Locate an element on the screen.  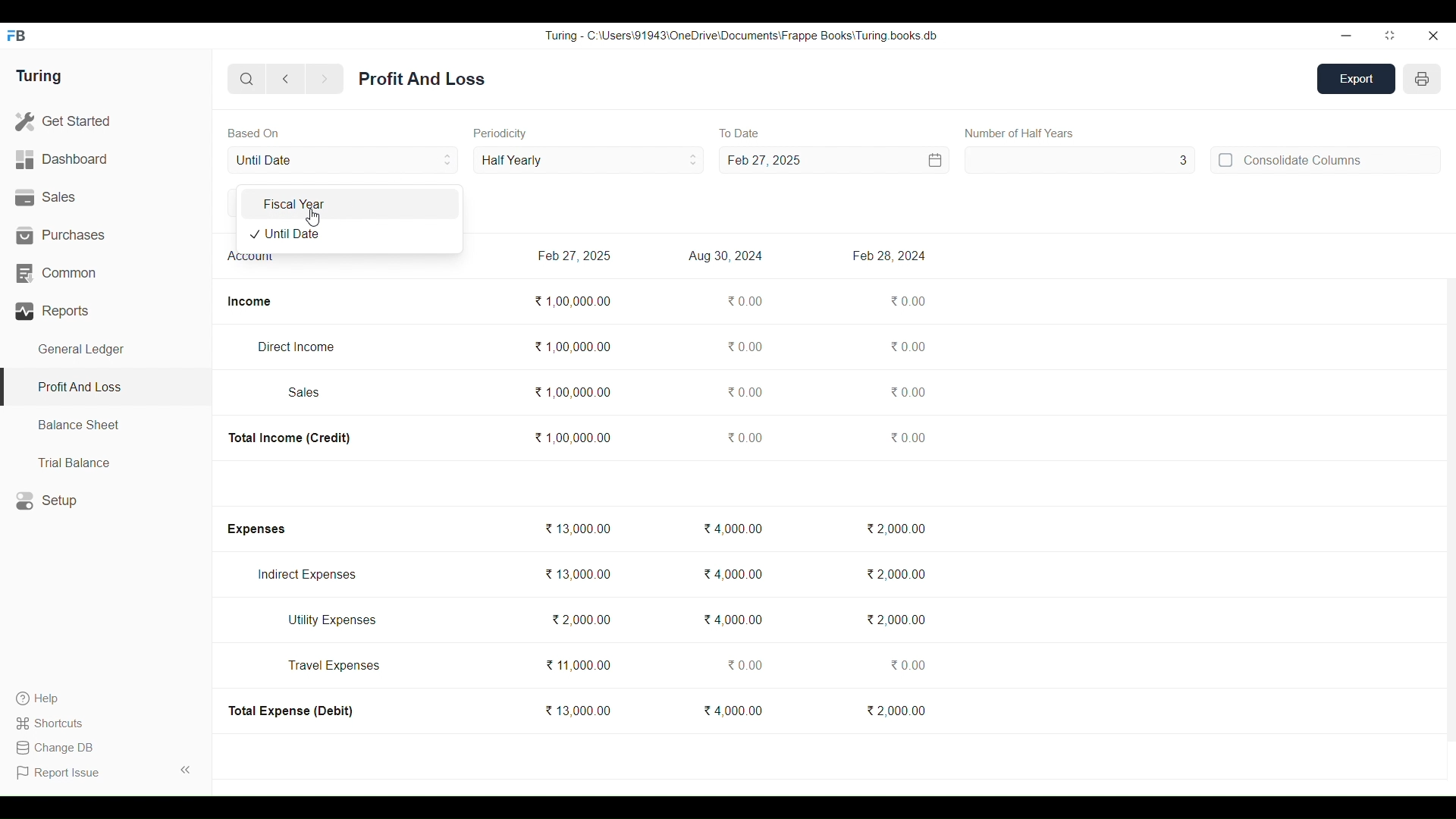
1,00,000.00 is located at coordinates (573, 392).